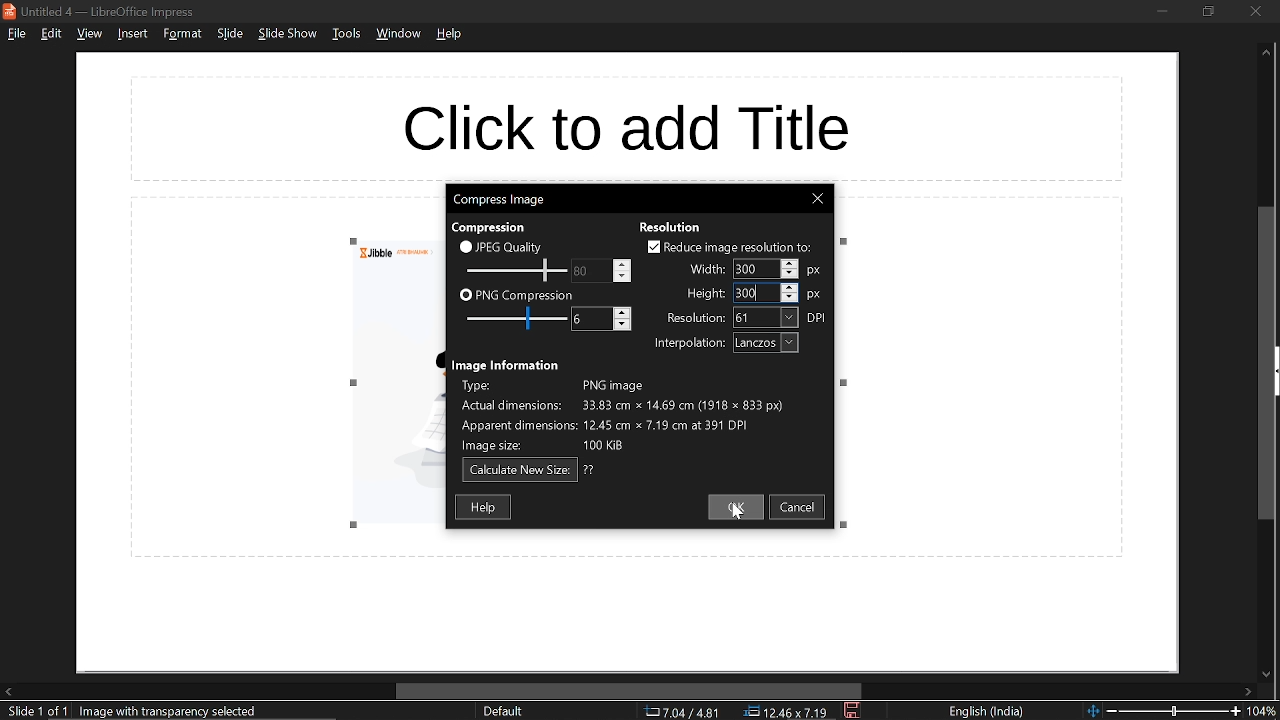  I want to click on px, so click(818, 269).